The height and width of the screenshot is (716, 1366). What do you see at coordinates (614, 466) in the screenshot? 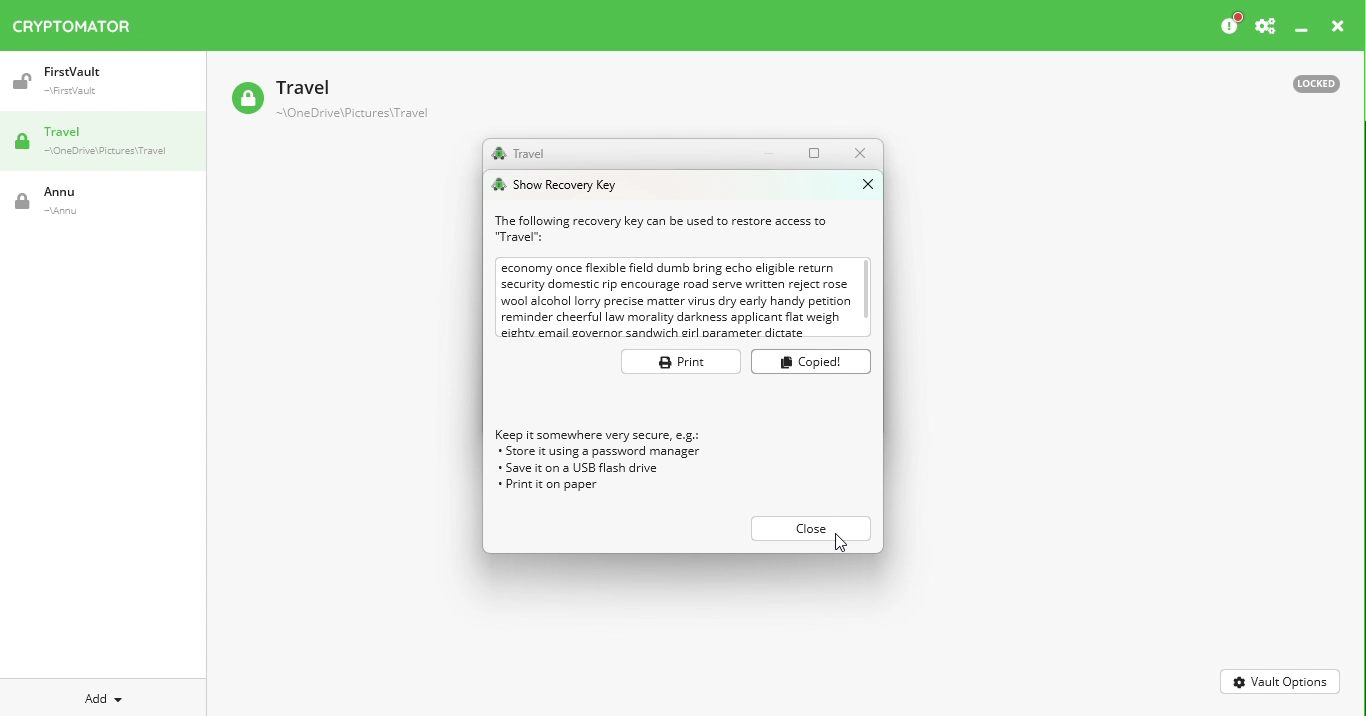
I see `Recovery key tips` at bounding box center [614, 466].